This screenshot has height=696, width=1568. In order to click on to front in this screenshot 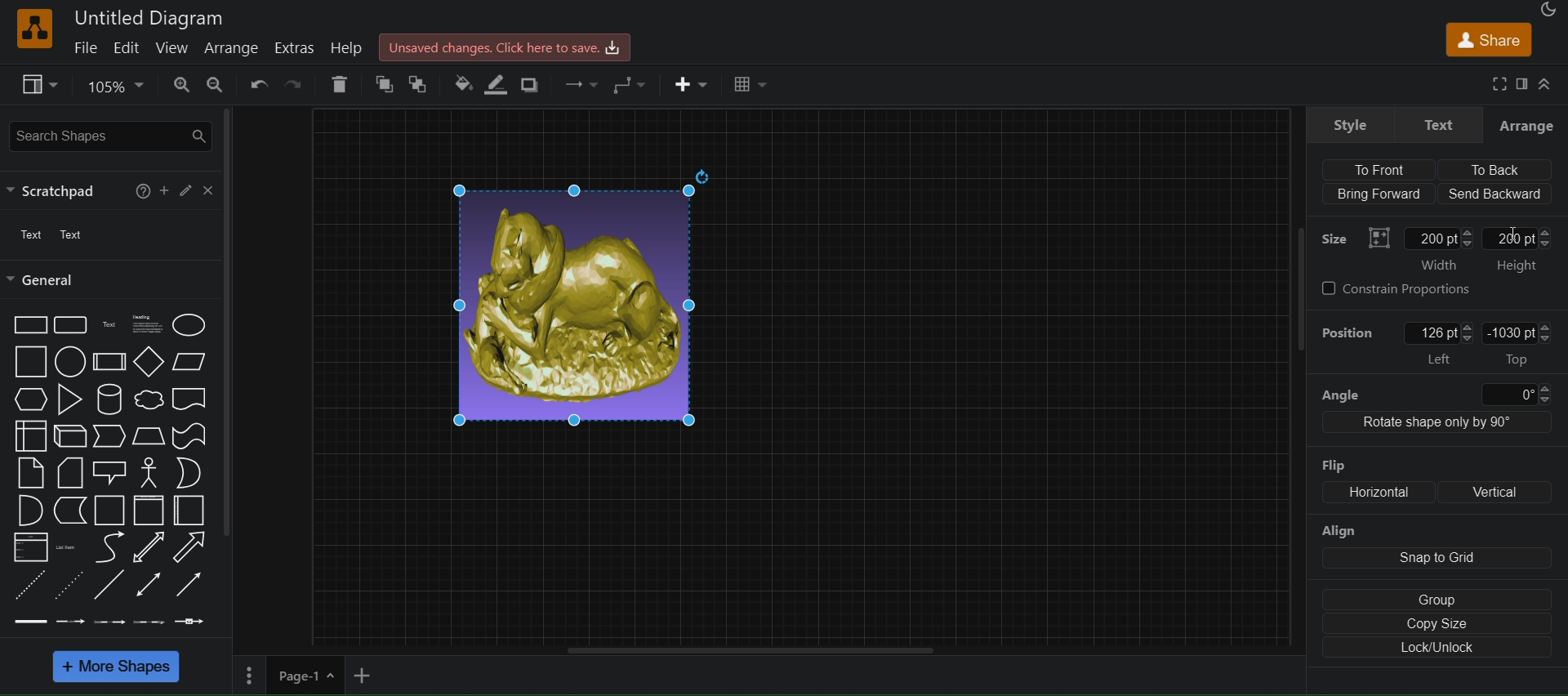, I will do `click(378, 84)`.